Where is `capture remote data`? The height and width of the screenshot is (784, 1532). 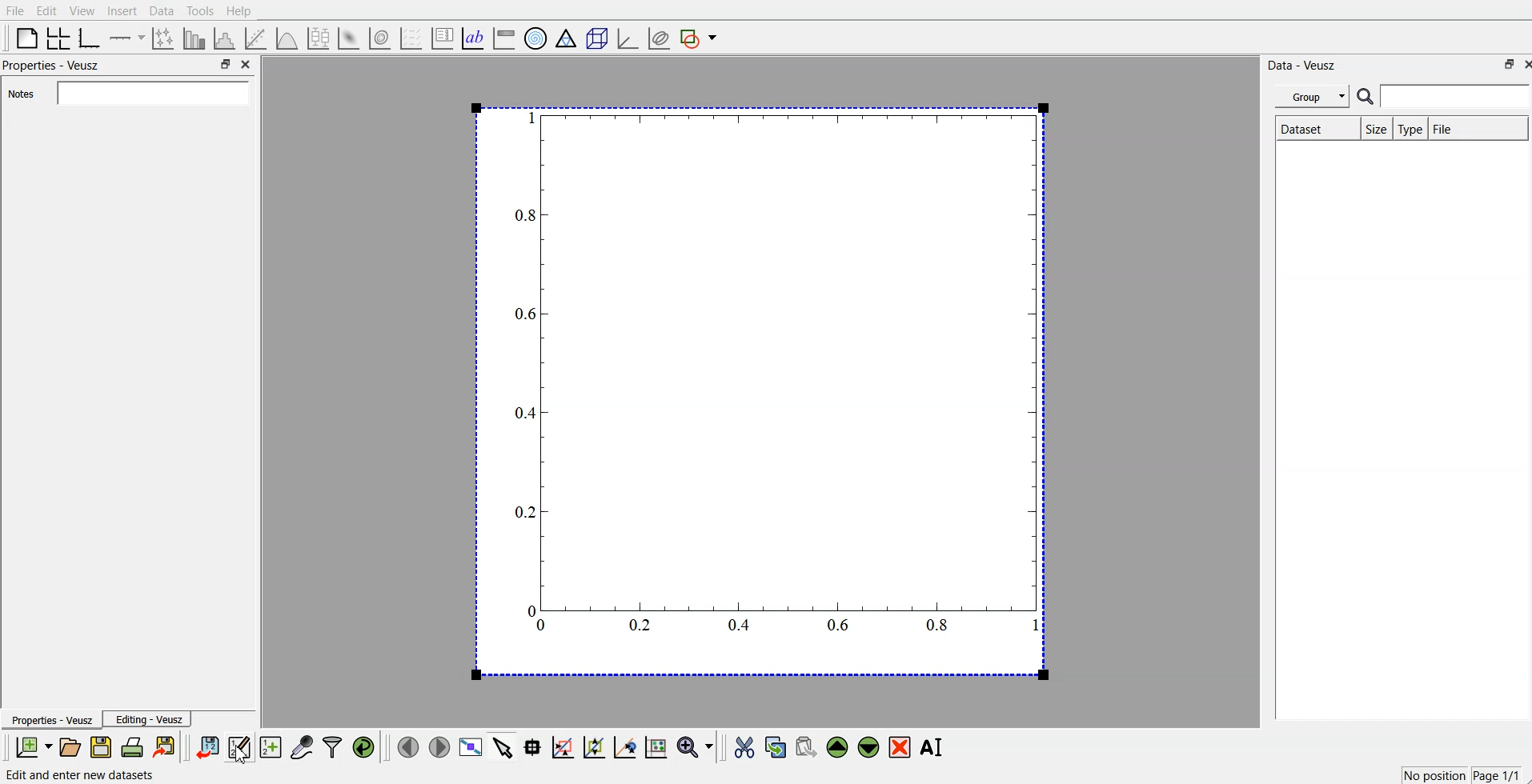
capture remote data is located at coordinates (301, 748).